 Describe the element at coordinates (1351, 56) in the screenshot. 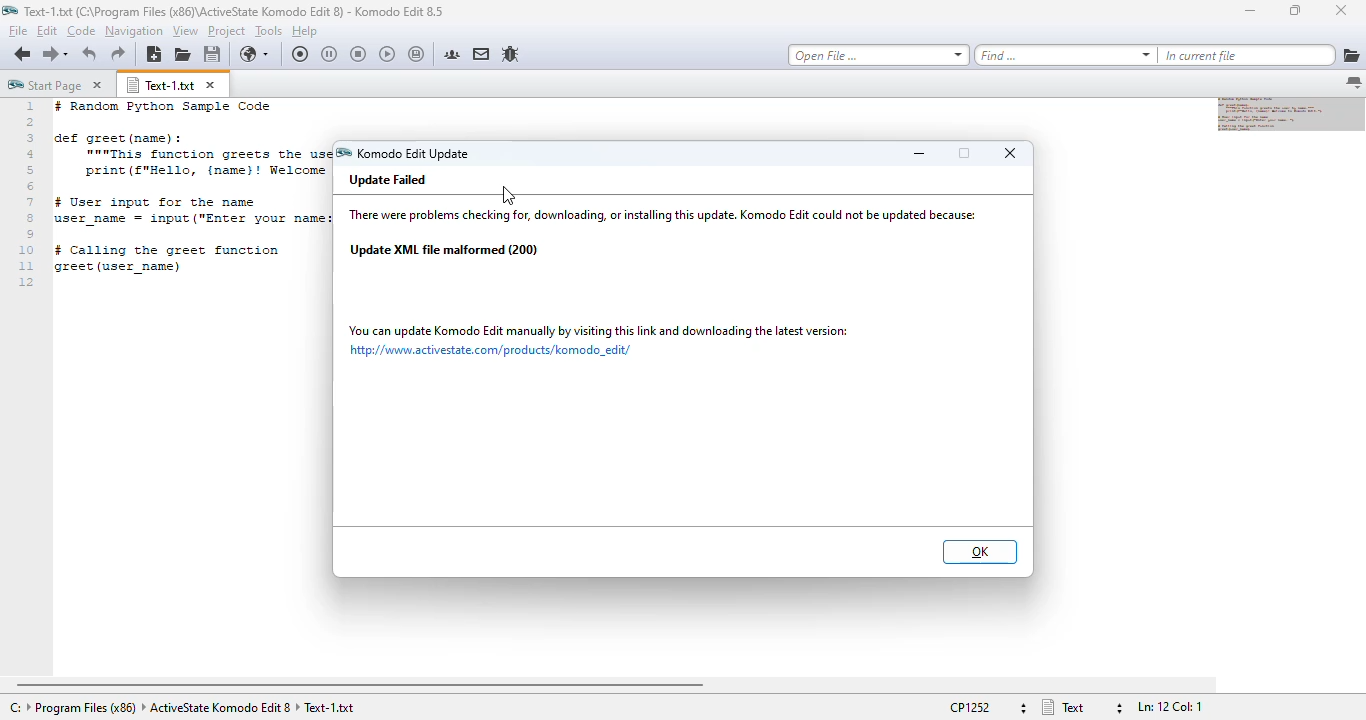

I see `browse for directories to add to search list` at that location.